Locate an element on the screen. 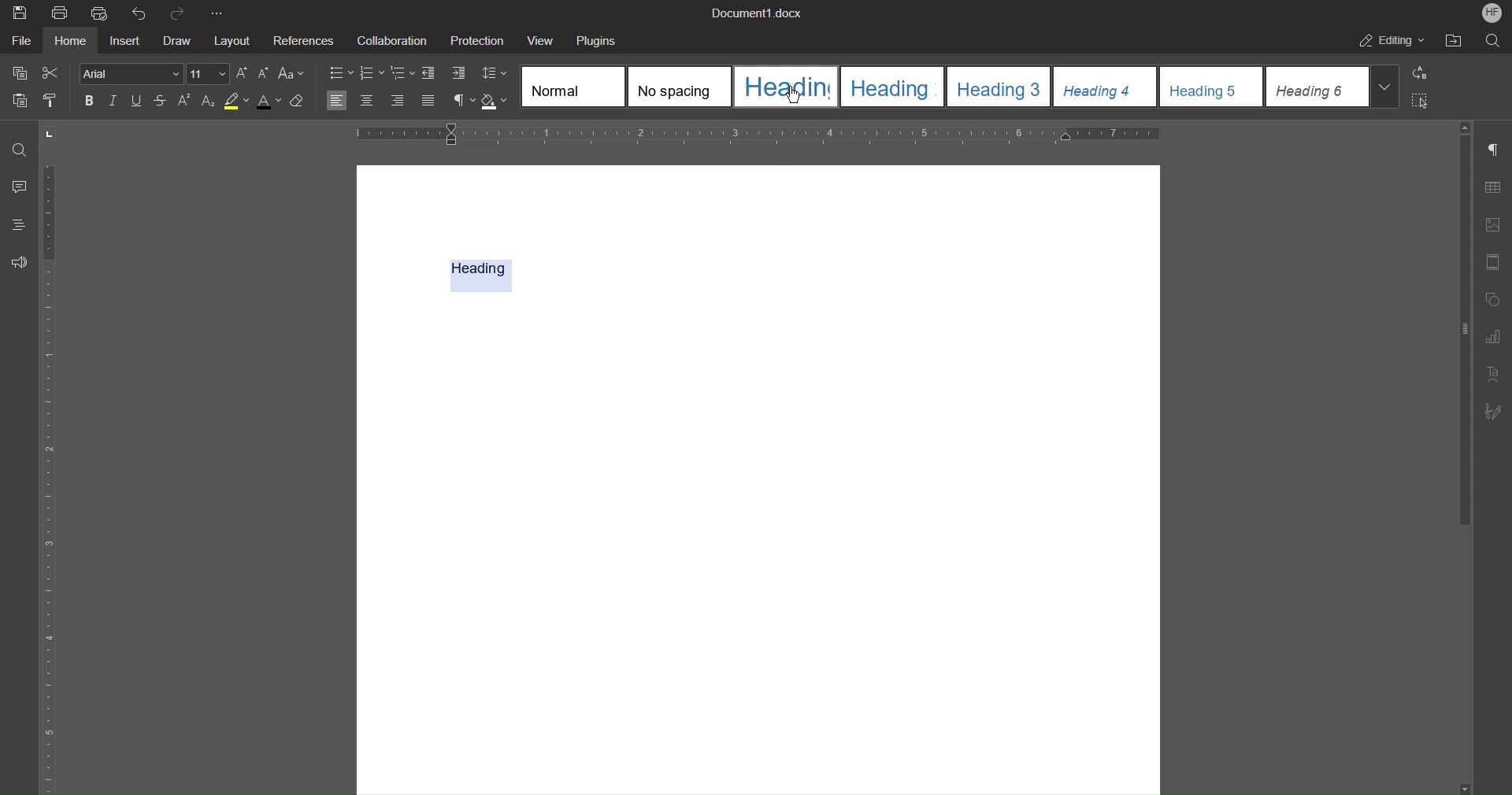 This screenshot has height=795, width=1512. Shape Settings is located at coordinates (1494, 300).